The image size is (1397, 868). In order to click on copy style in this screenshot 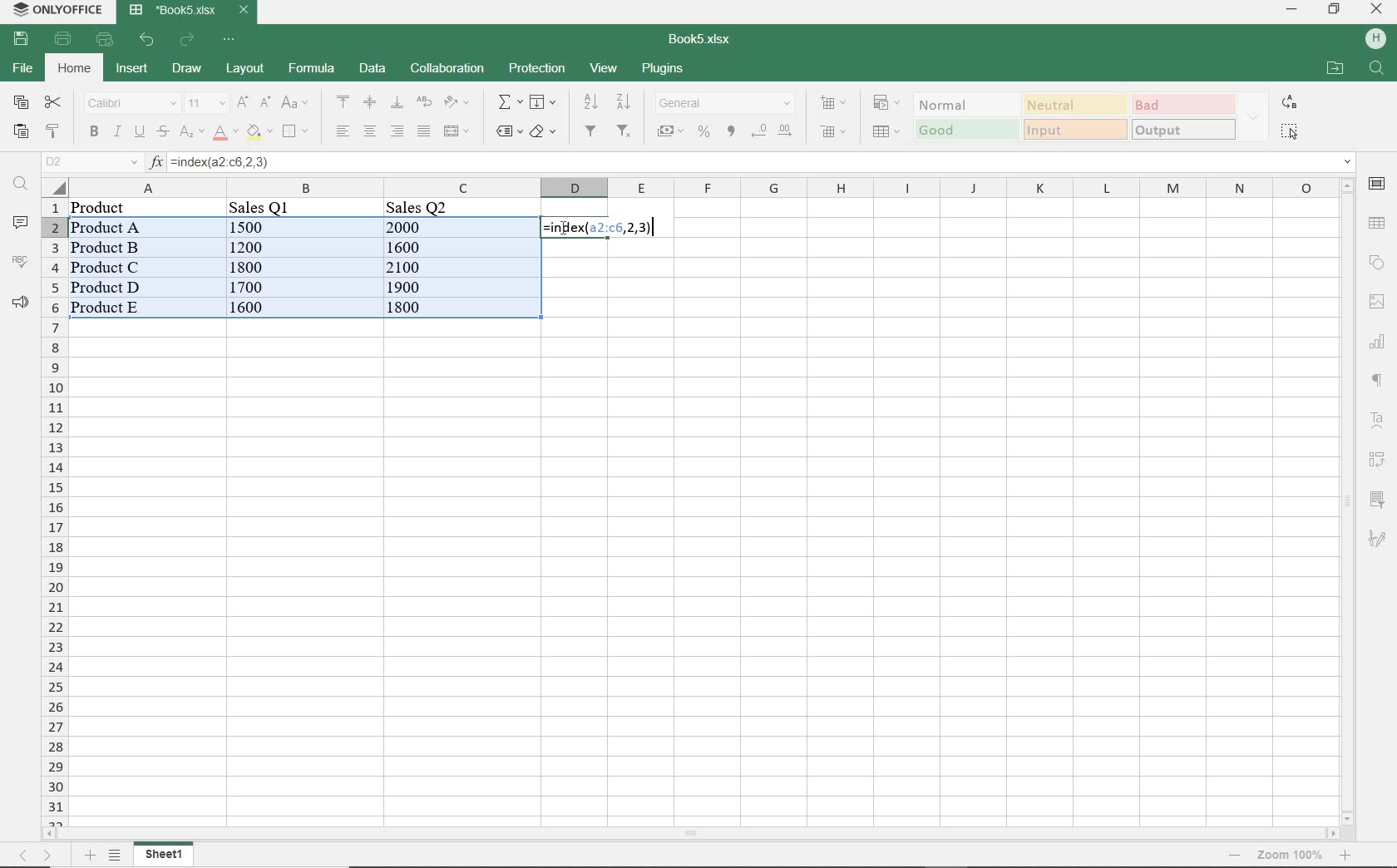, I will do `click(51, 131)`.